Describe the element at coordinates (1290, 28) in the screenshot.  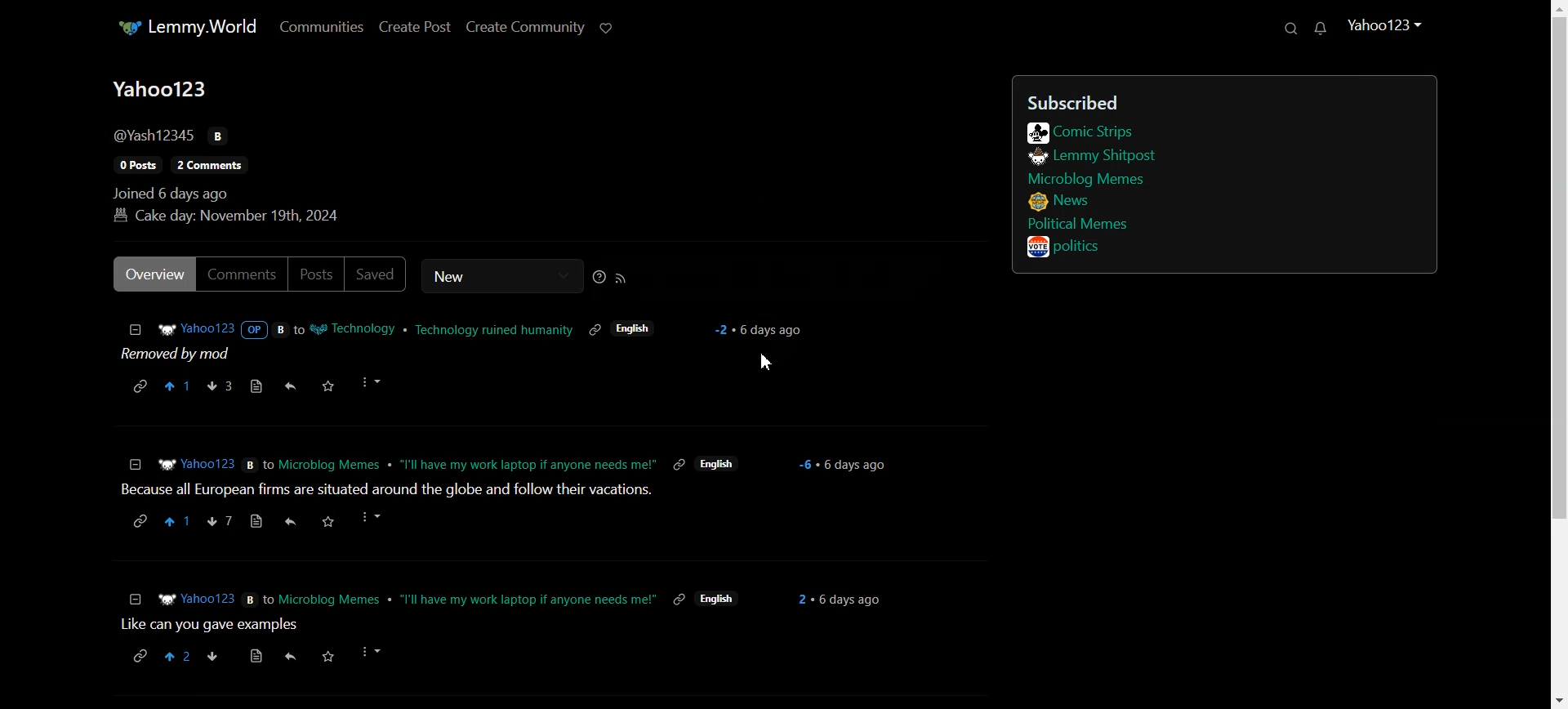
I see `Search` at that location.